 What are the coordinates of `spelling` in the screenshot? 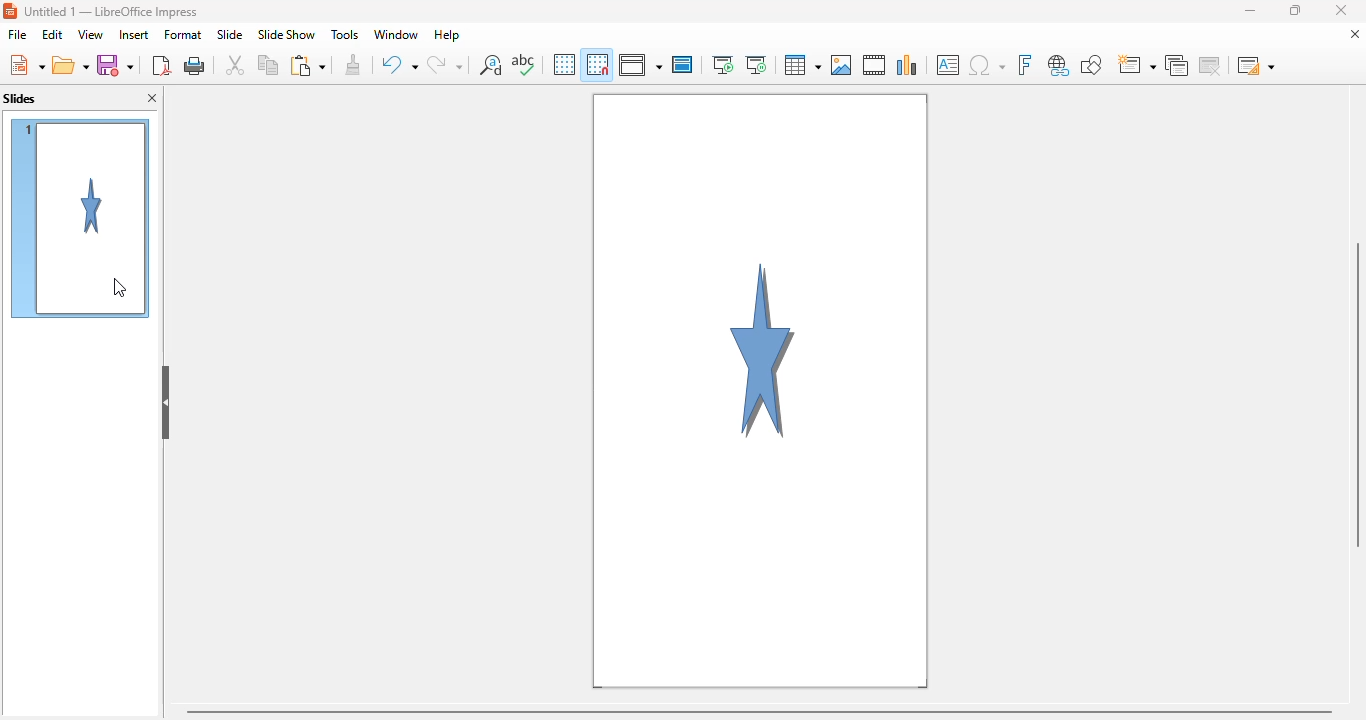 It's located at (524, 64).